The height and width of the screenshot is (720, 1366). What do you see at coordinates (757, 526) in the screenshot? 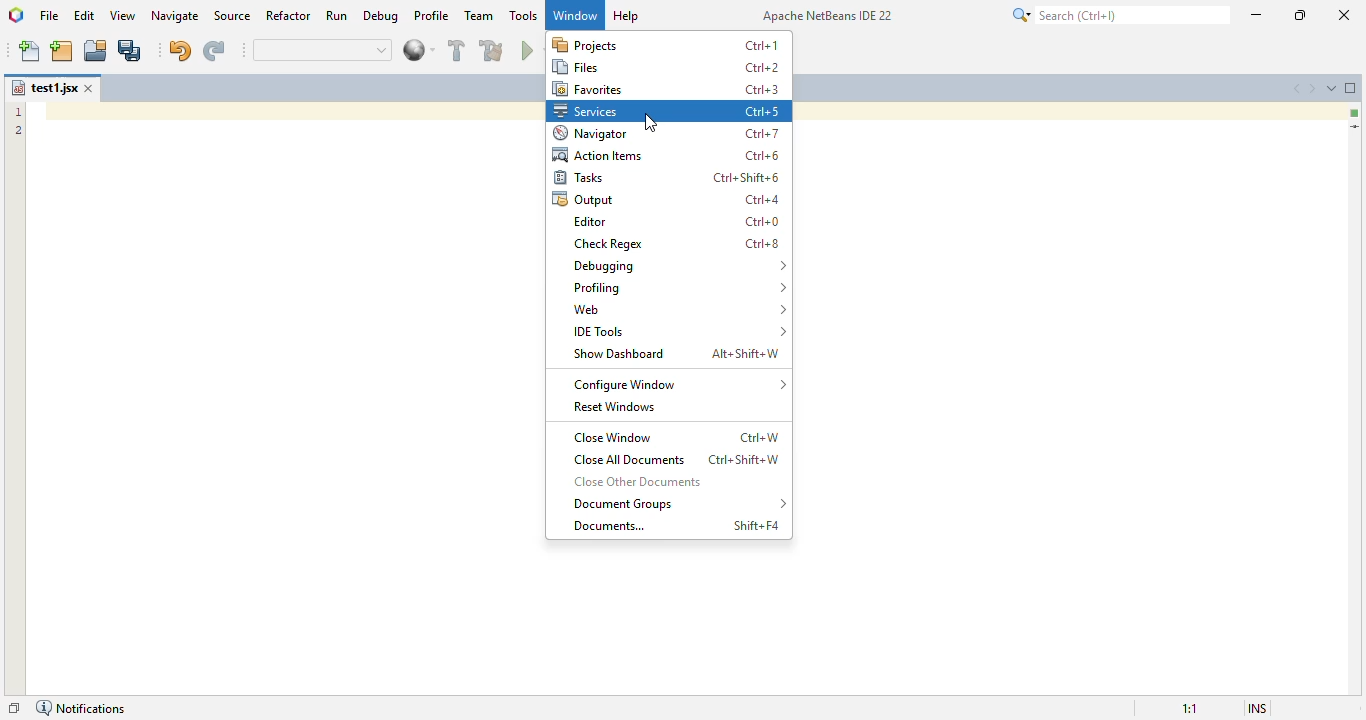
I see `shortcut for documents` at bounding box center [757, 526].